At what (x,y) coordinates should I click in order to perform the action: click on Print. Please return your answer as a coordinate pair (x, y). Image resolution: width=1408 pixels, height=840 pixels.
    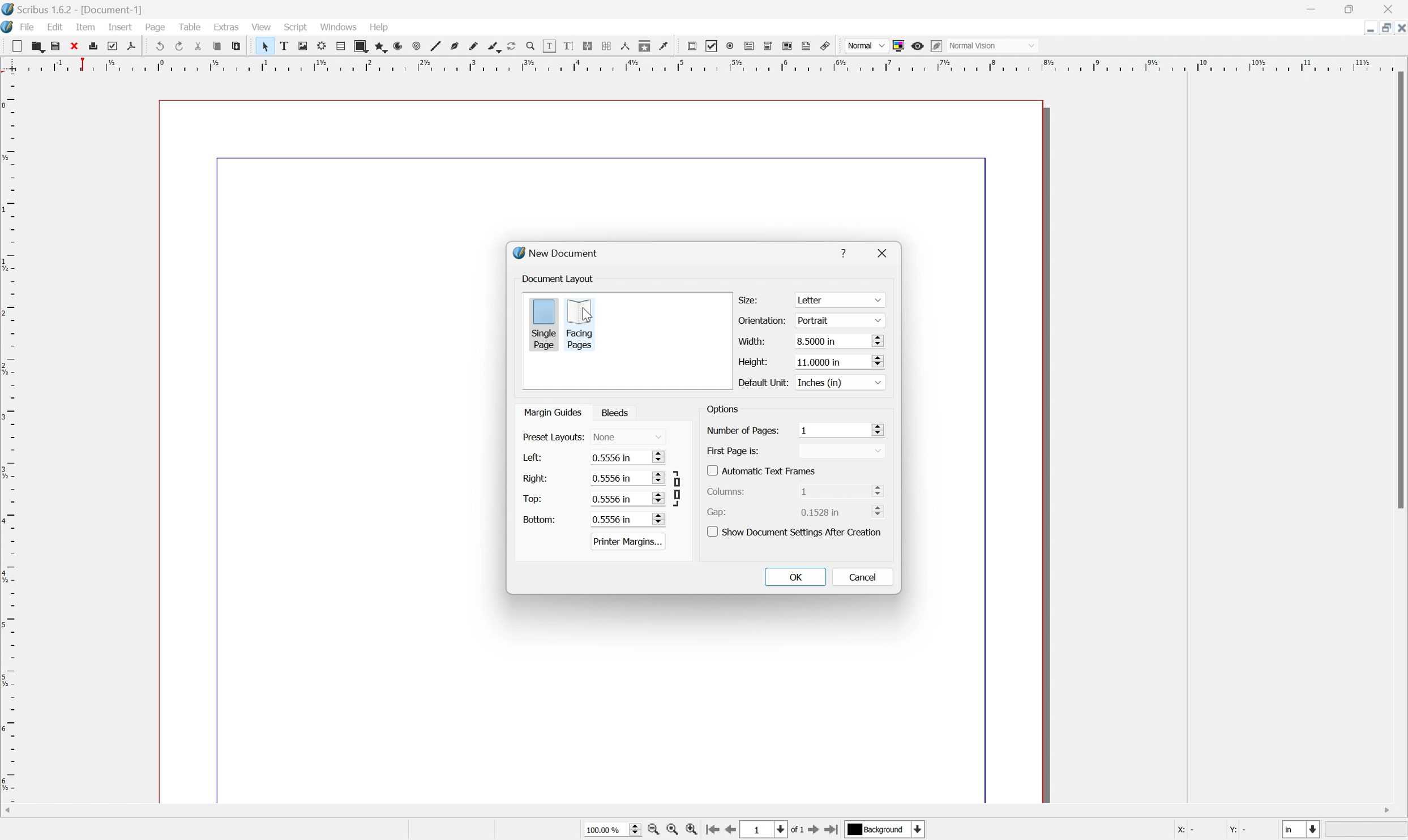
    Looking at the image, I should click on (97, 46).